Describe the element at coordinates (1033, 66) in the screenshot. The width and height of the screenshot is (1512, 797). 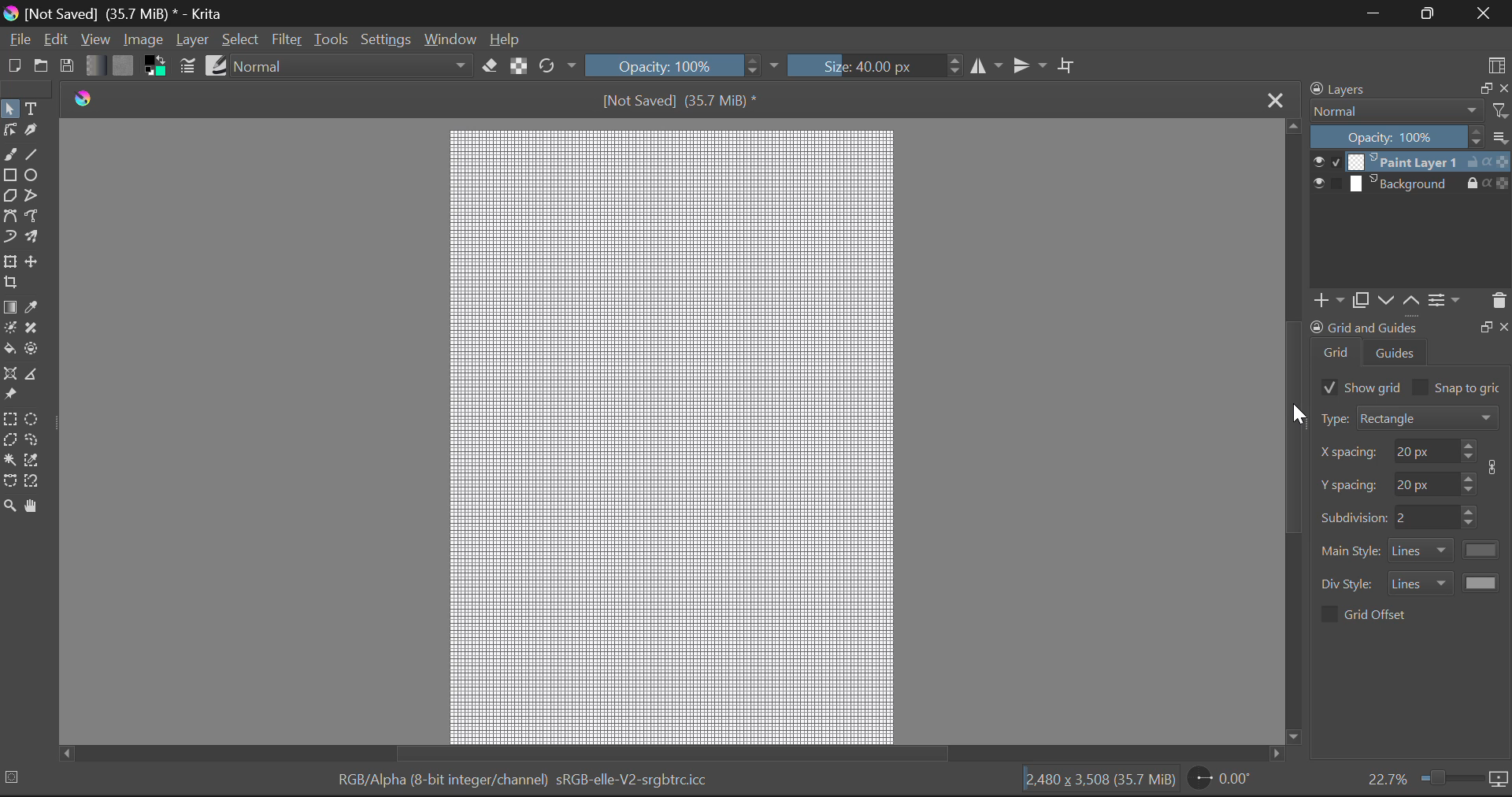
I see `Horizontal Mirror Flip` at that location.